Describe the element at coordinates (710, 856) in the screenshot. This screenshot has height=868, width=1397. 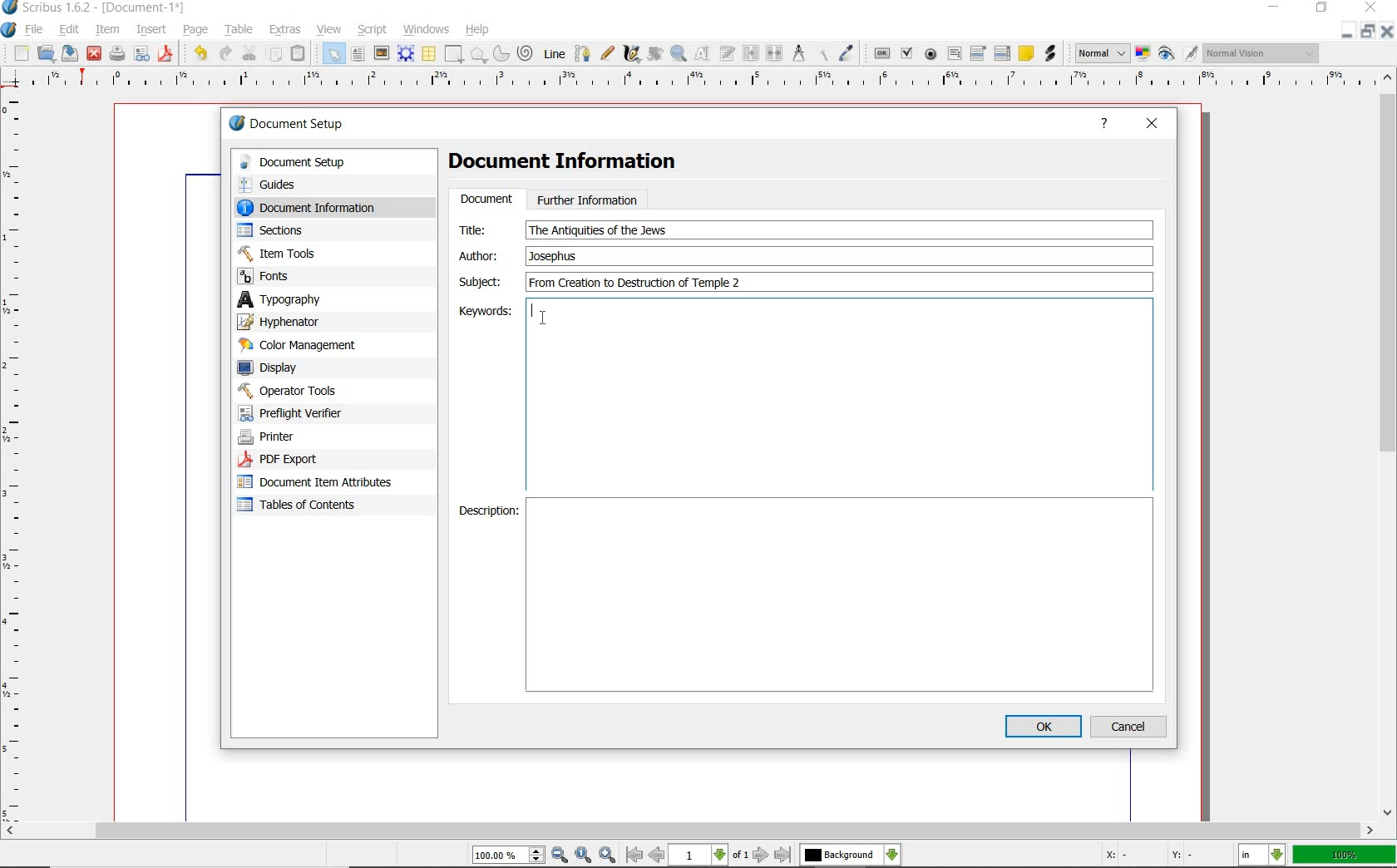
I see `move to next or previous page` at that location.